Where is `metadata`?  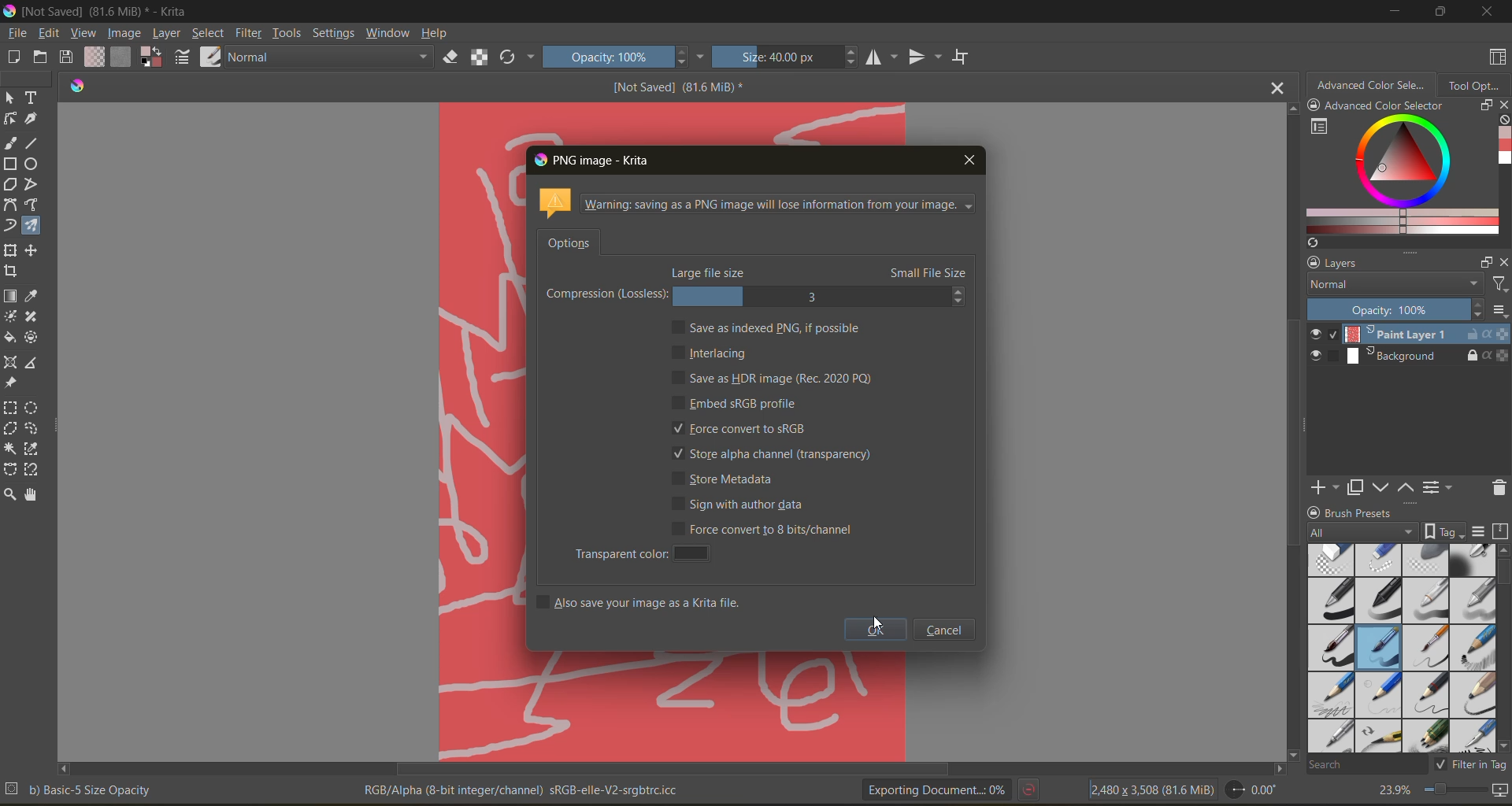 metadata is located at coordinates (780, 205).